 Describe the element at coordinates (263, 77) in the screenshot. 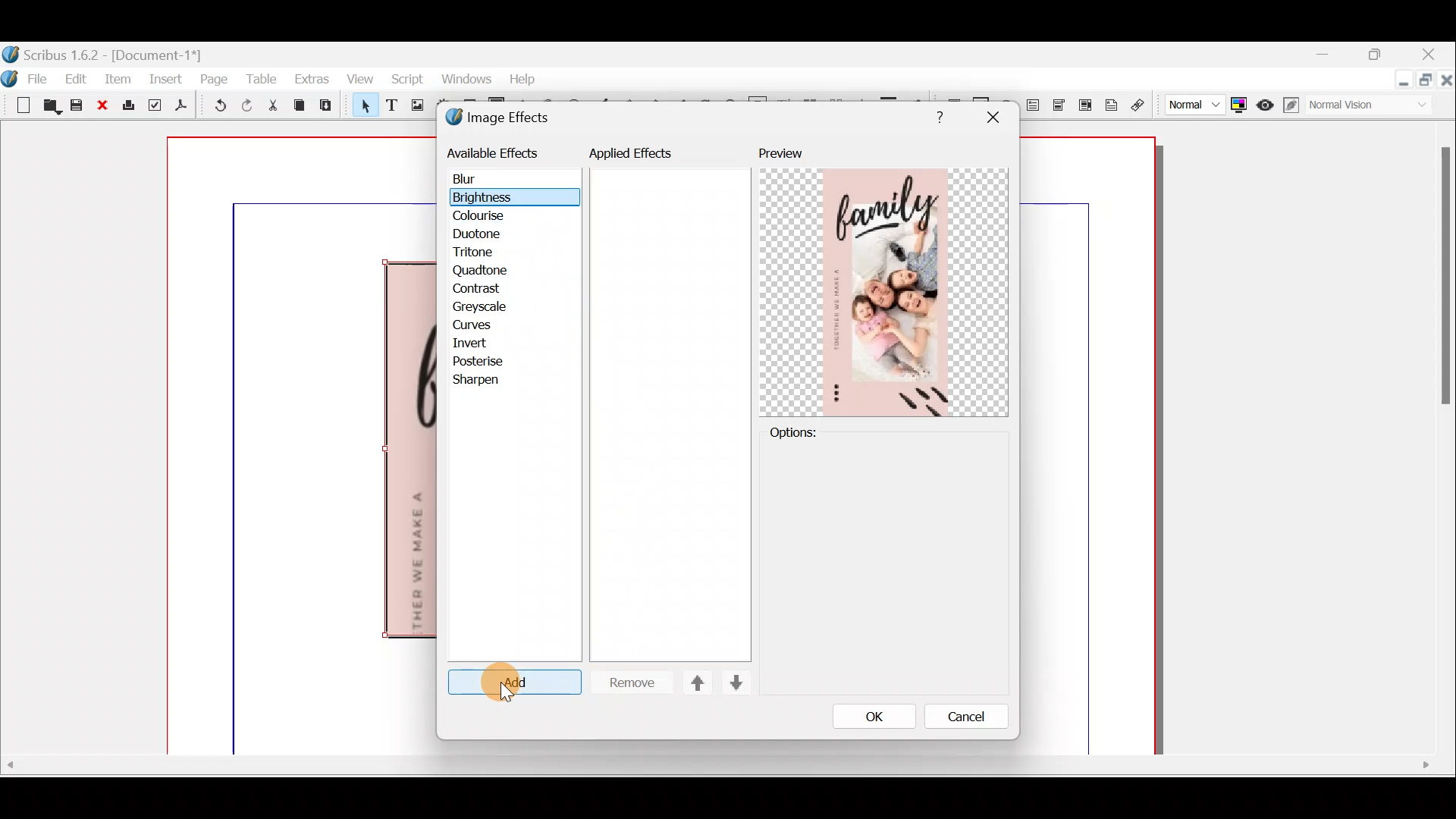

I see `Table` at that location.